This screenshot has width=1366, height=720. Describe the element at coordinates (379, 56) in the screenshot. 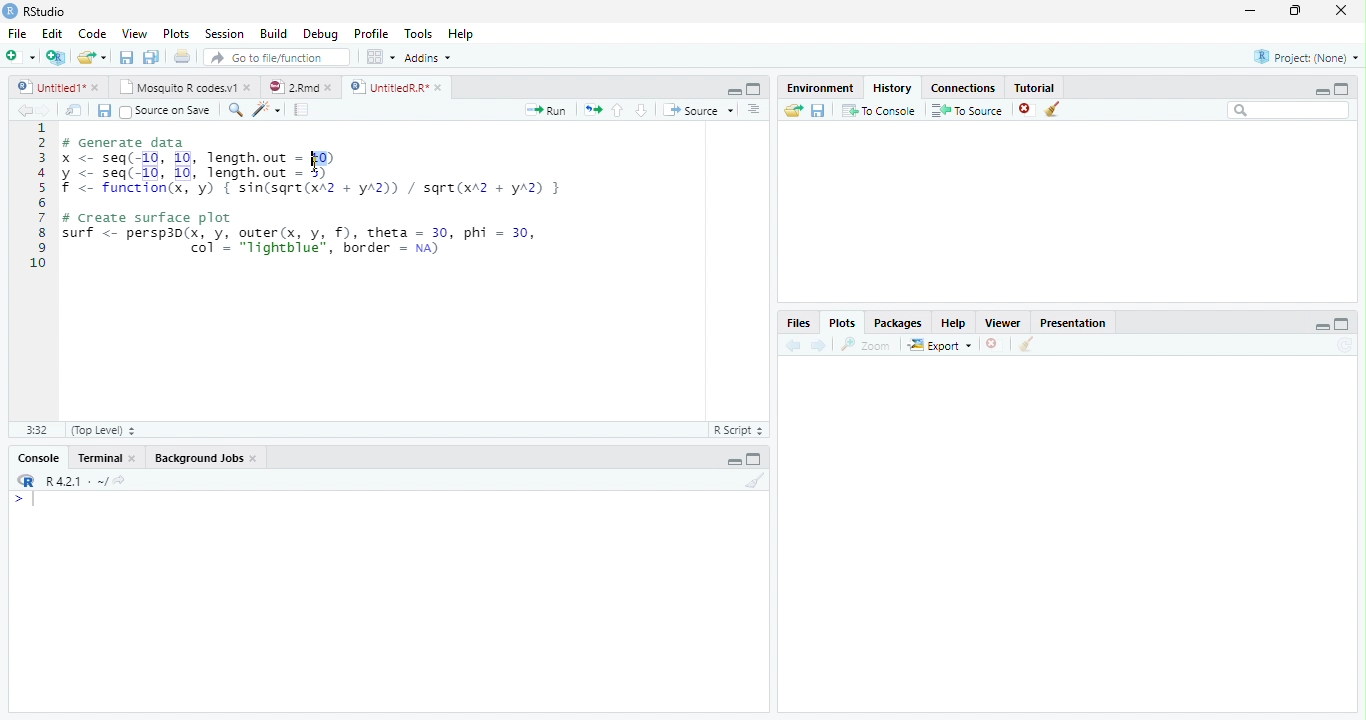

I see `Workspace panes` at that location.